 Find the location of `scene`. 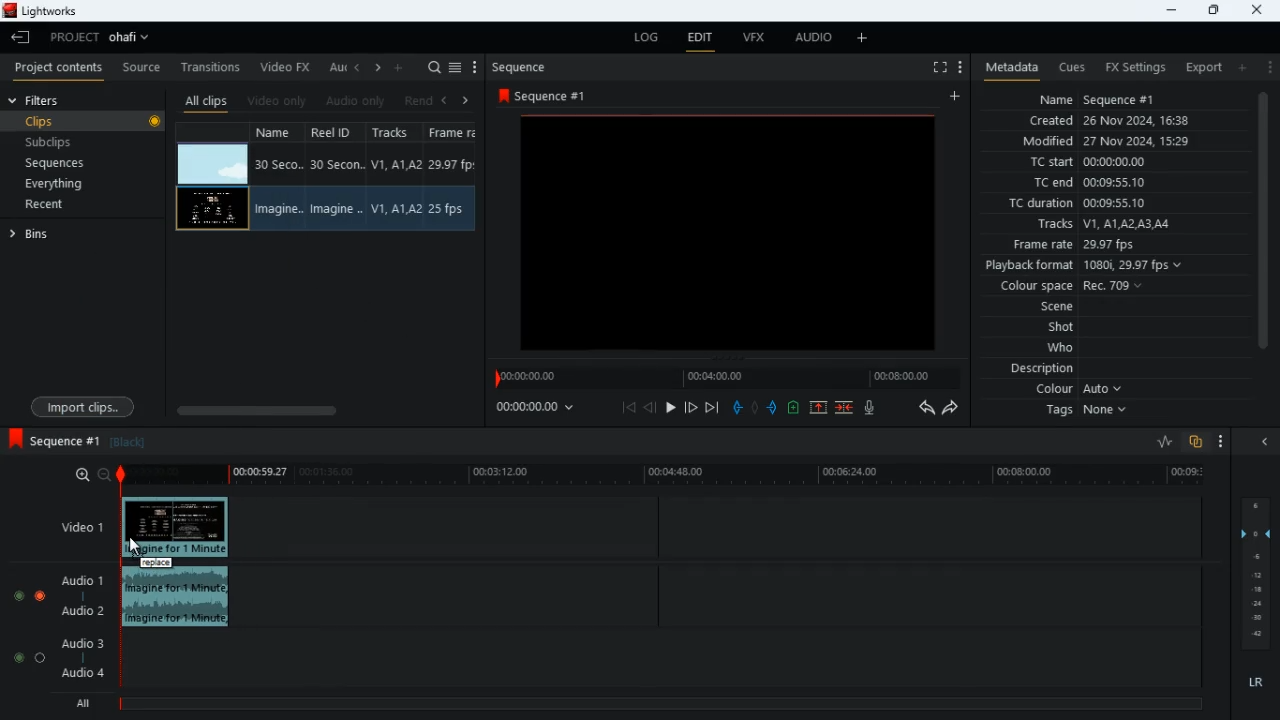

scene is located at coordinates (1058, 308).